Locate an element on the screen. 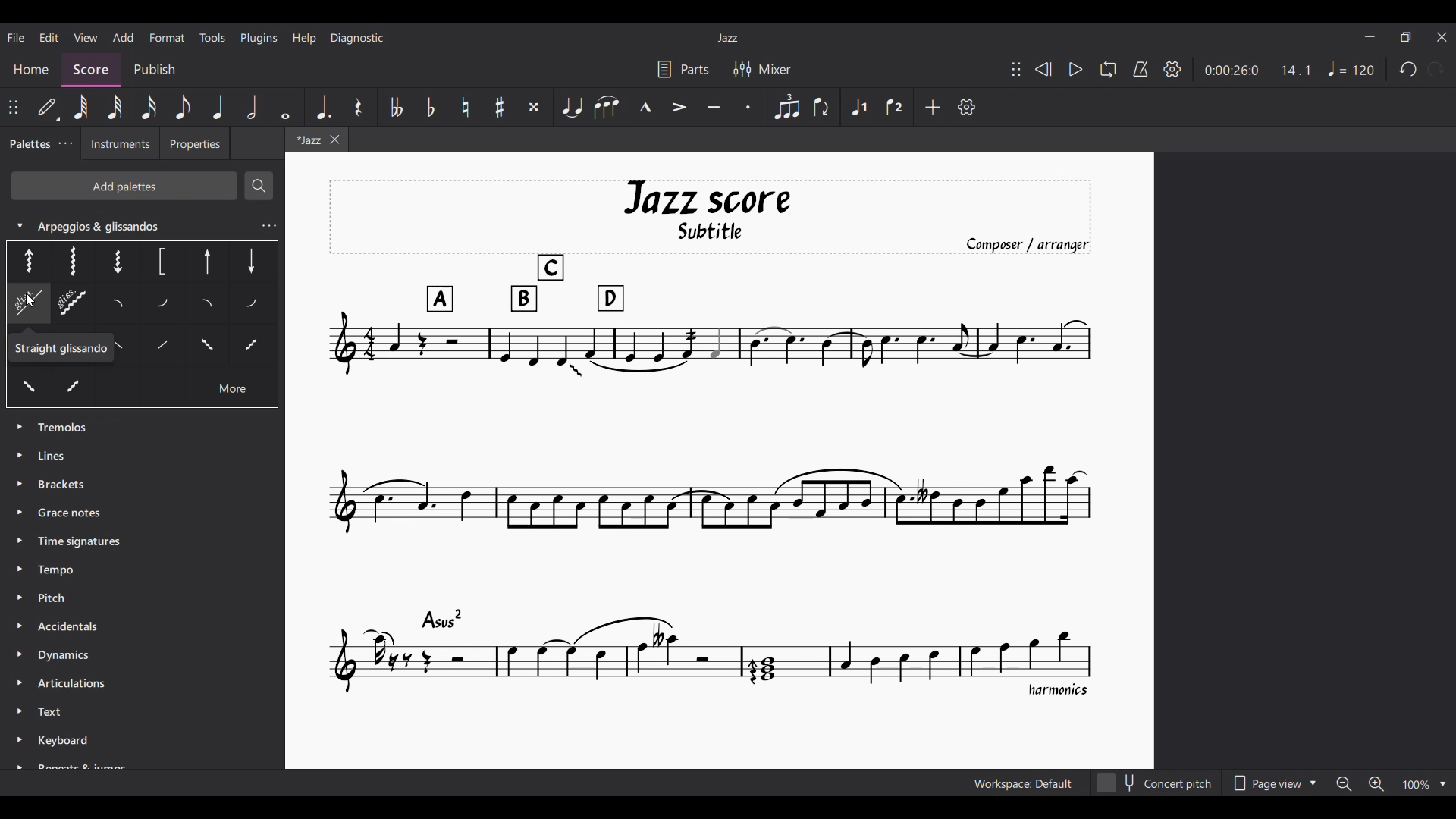  Palate 13 is located at coordinates (122, 350).